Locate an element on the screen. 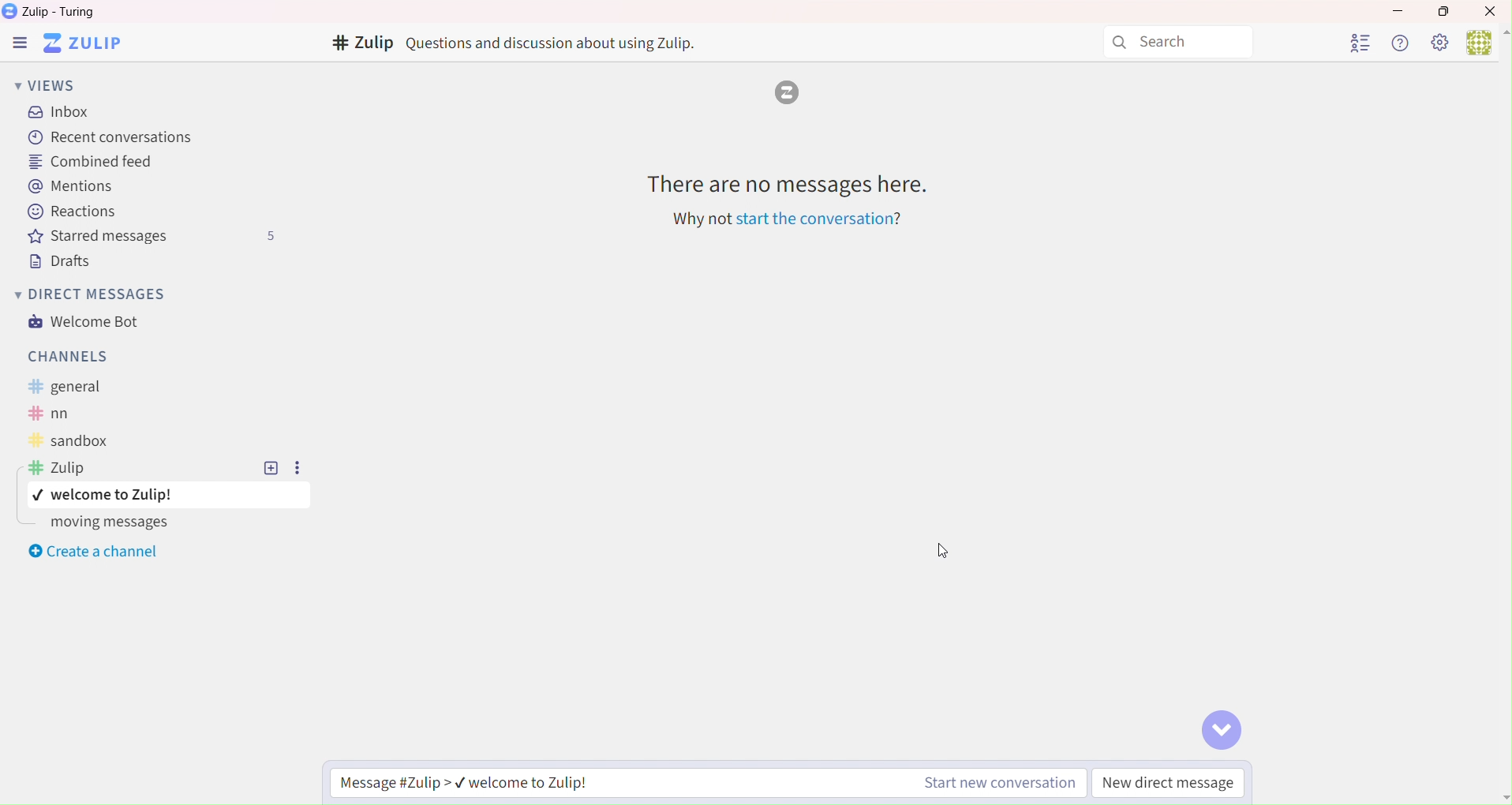  Link is located at coordinates (820, 219).